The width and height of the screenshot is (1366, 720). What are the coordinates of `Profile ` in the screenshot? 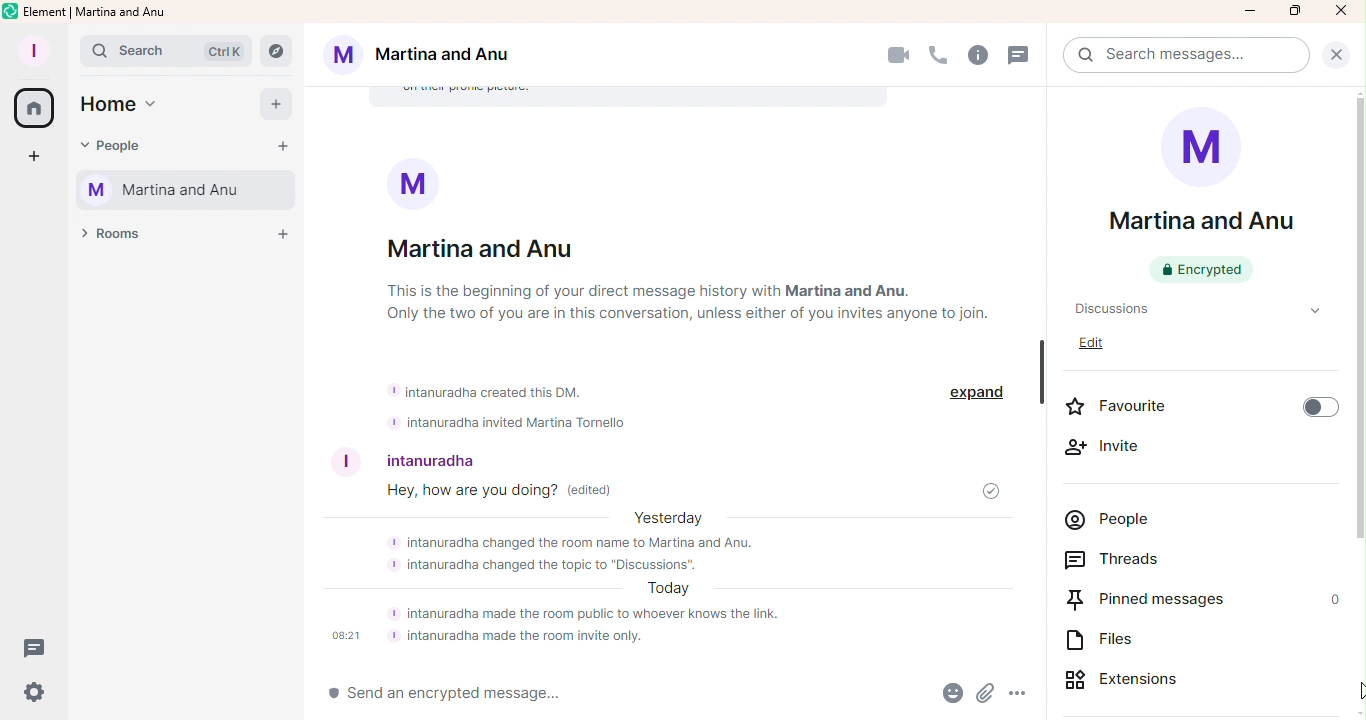 It's located at (33, 47).